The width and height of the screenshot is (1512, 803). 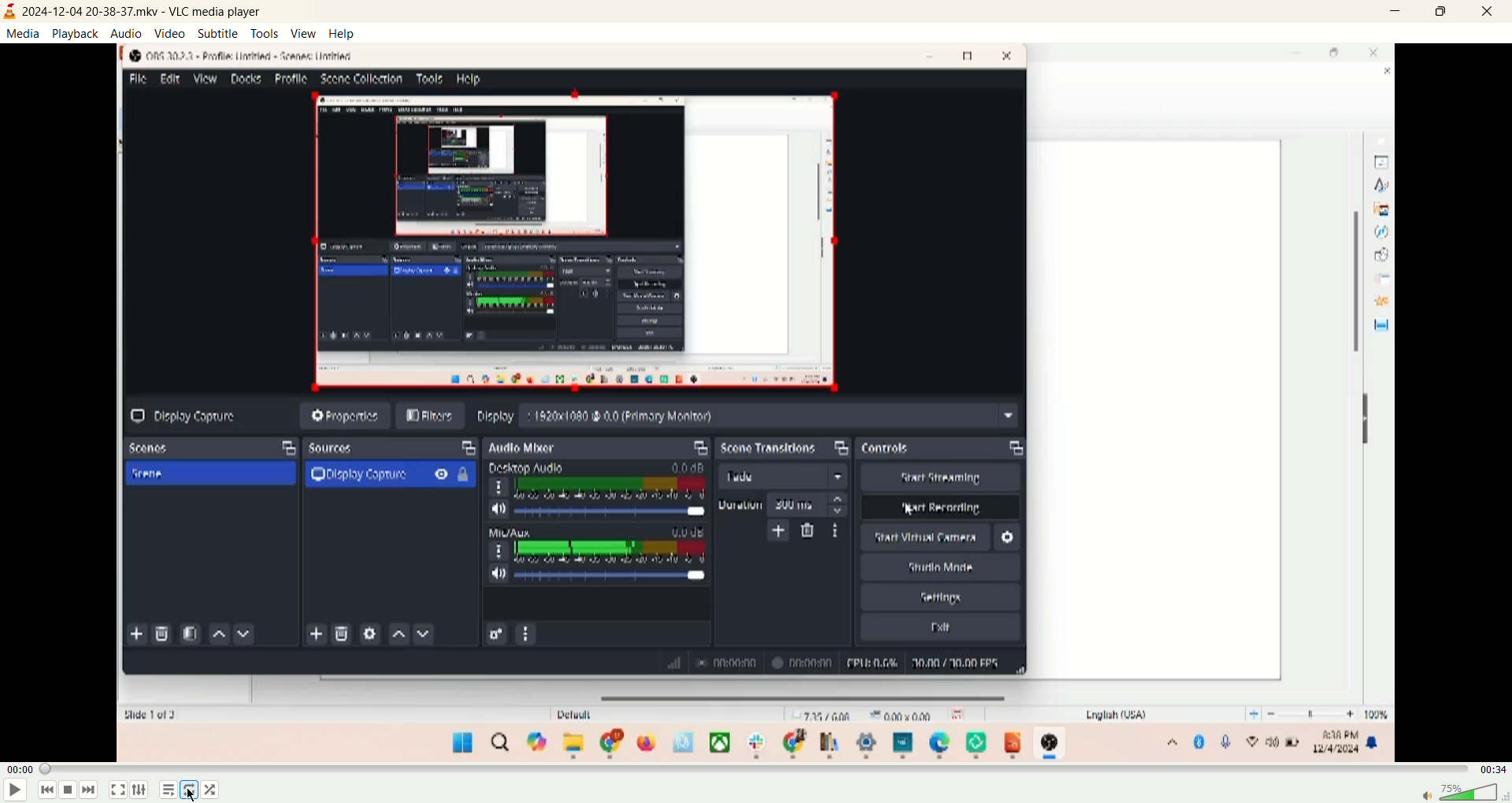 What do you see at coordinates (210, 791) in the screenshot?
I see `random` at bounding box center [210, 791].